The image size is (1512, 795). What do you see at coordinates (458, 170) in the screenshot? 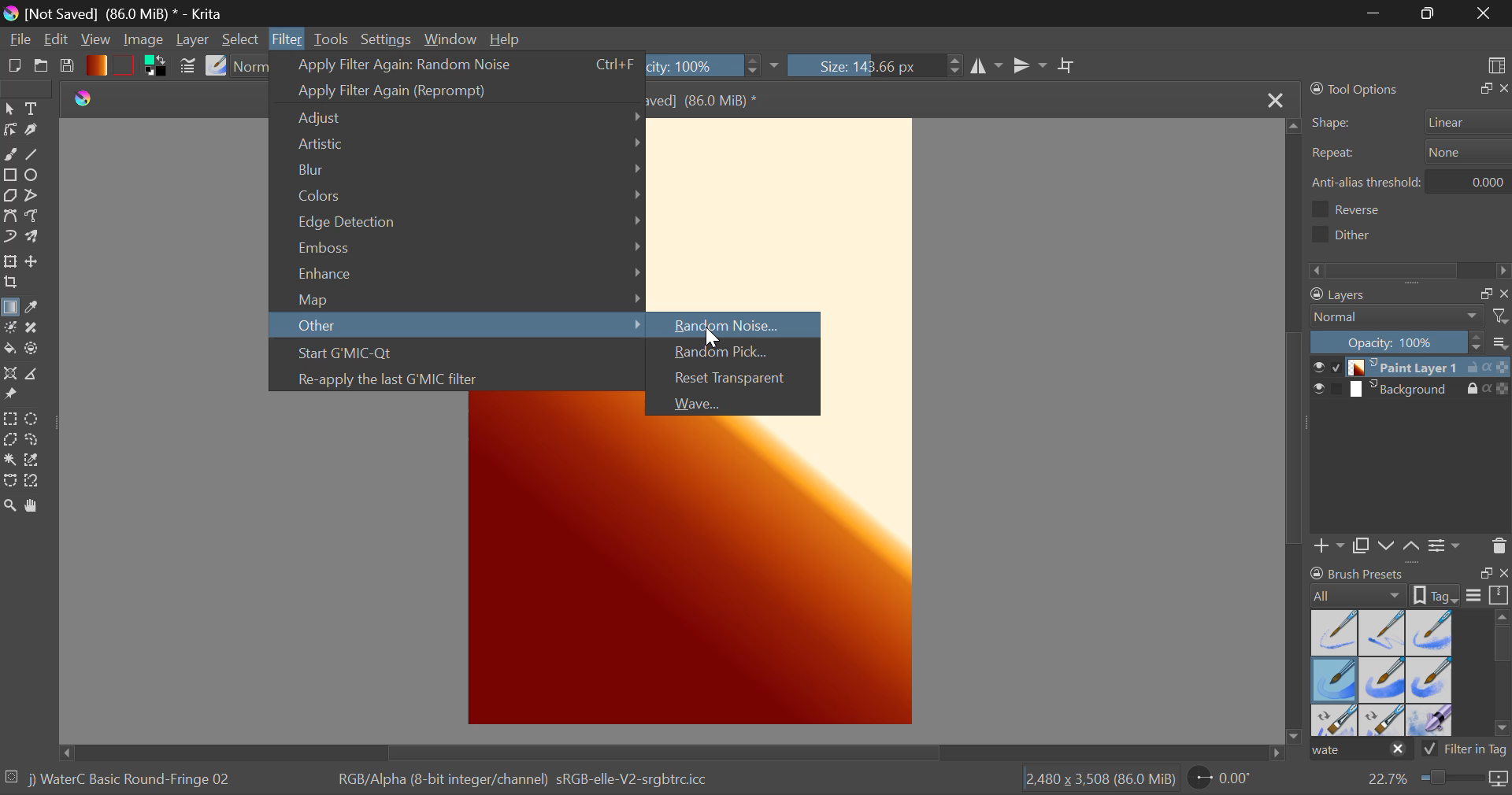
I see `Blur` at bounding box center [458, 170].